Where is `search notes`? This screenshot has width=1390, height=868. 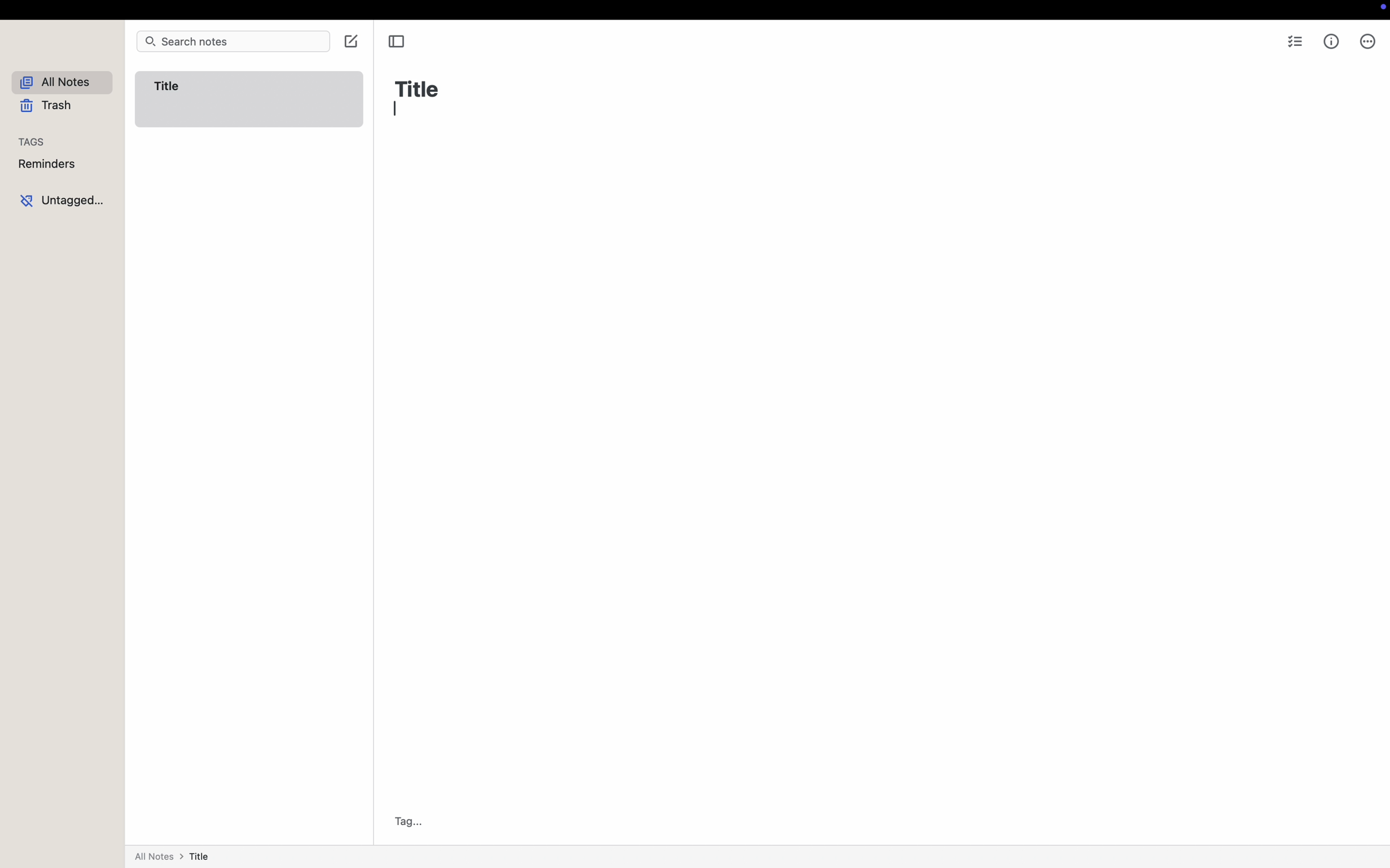
search notes is located at coordinates (233, 42).